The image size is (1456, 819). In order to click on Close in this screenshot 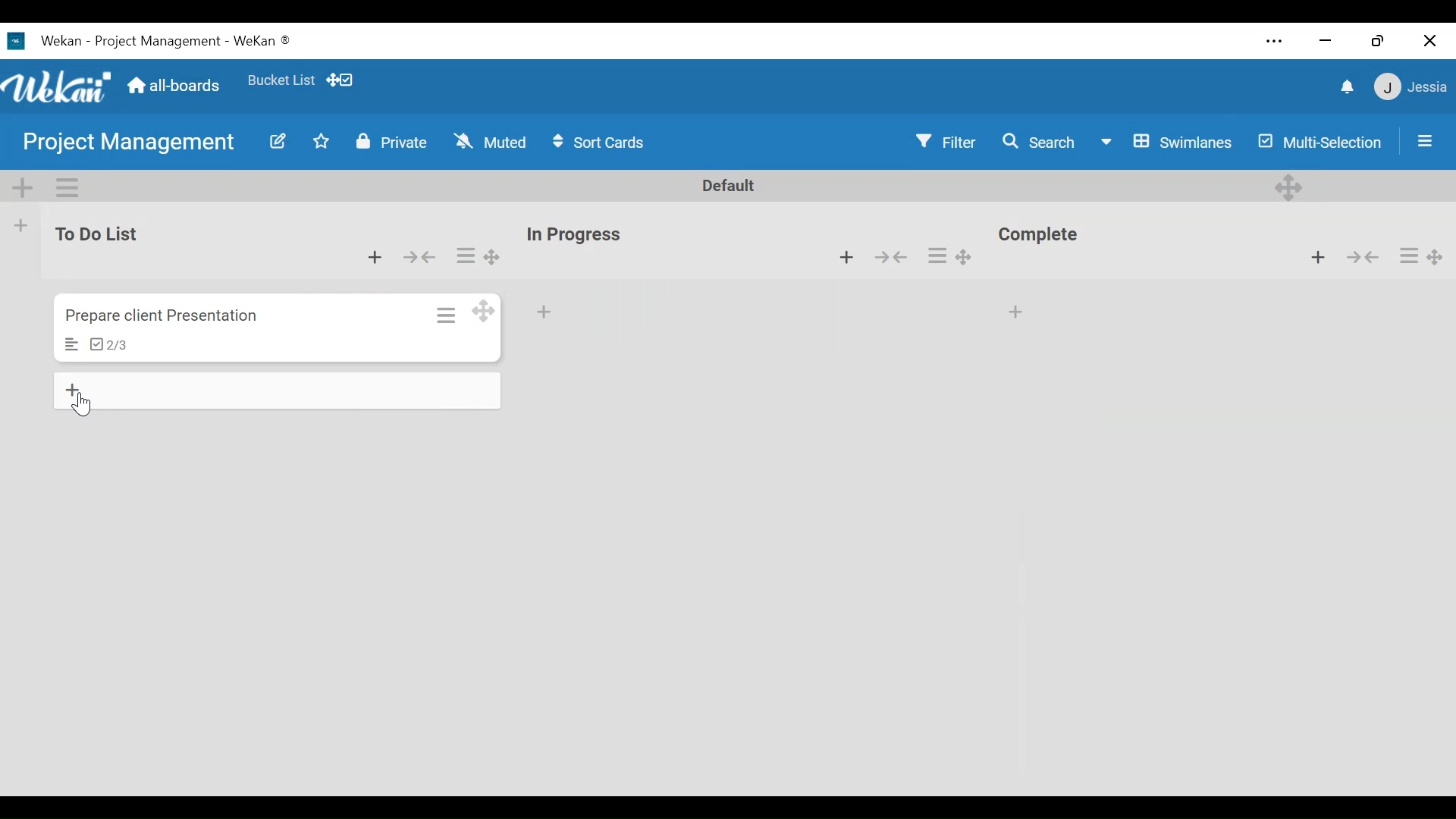, I will do `click(1429, 37)`.